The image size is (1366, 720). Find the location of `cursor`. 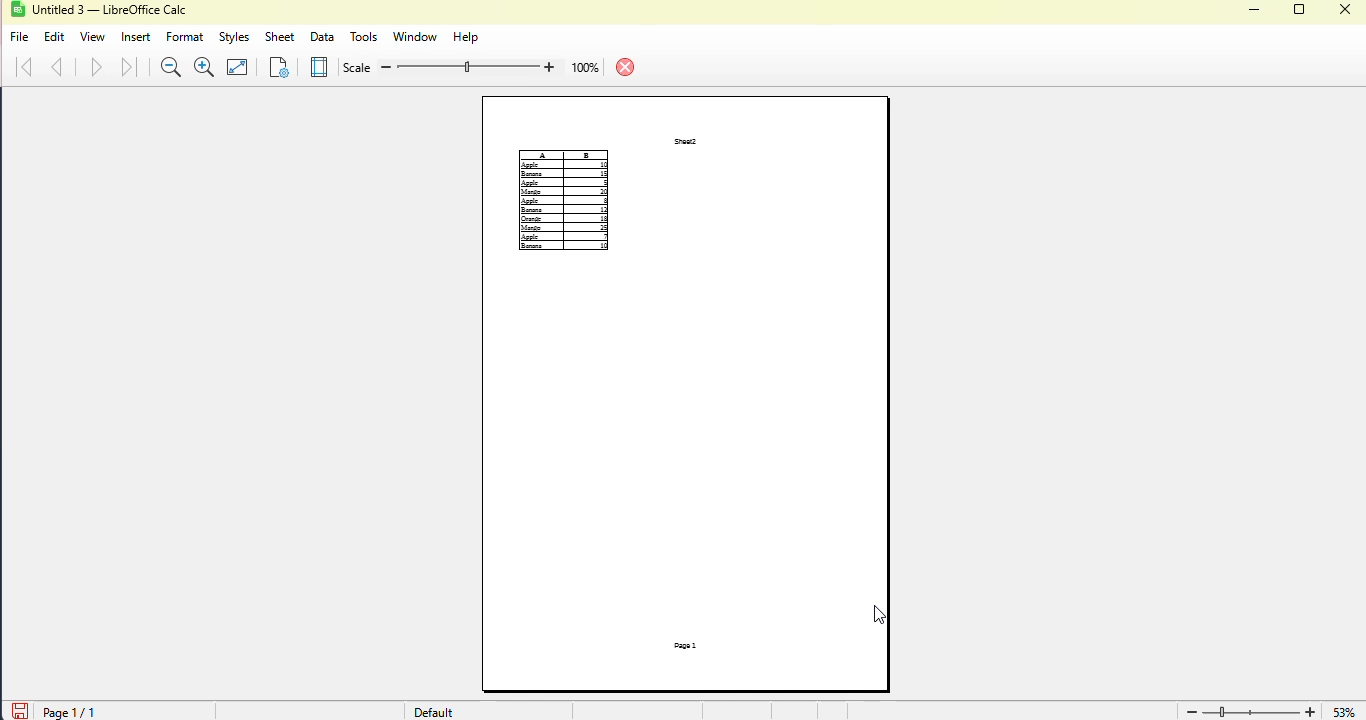

cursor is located at coordinates (880, 616).